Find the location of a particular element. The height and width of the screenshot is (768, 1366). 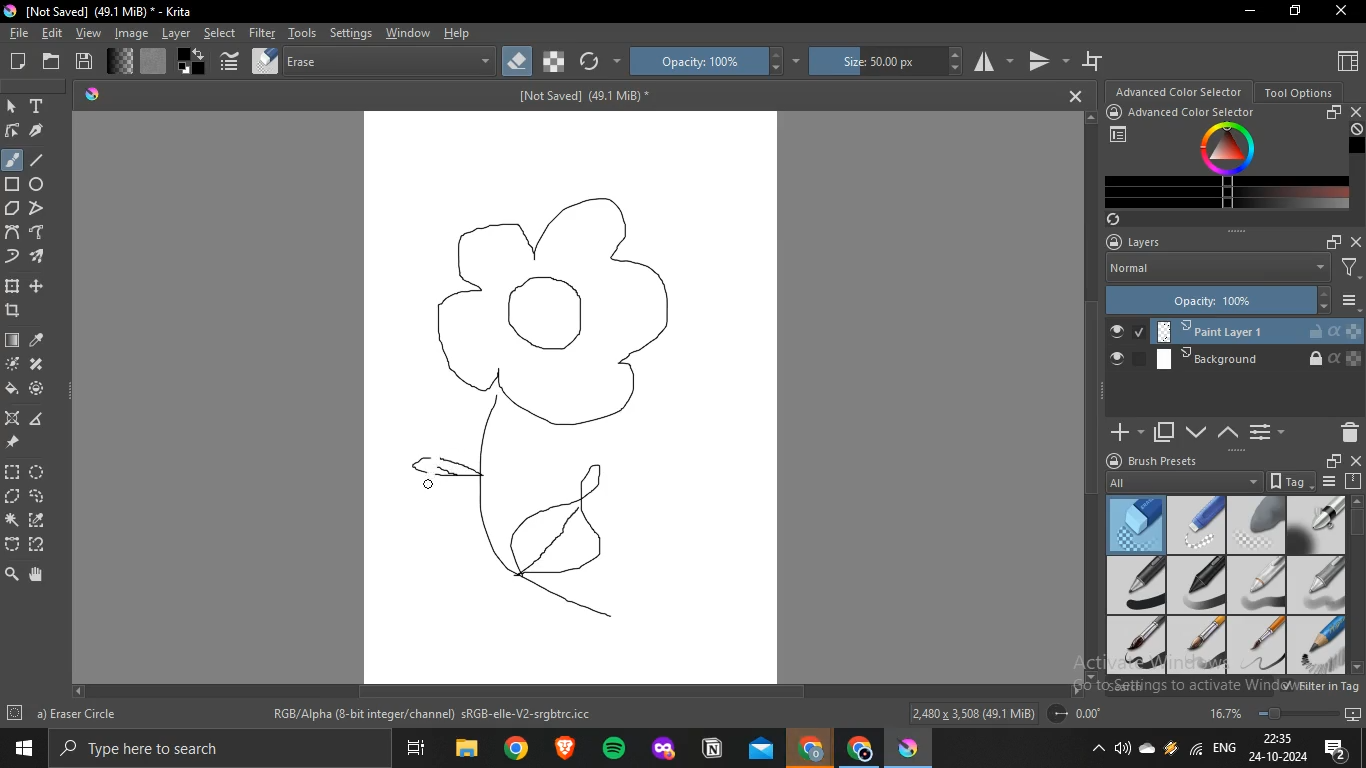

Add is located at coordinates (1123, 426).